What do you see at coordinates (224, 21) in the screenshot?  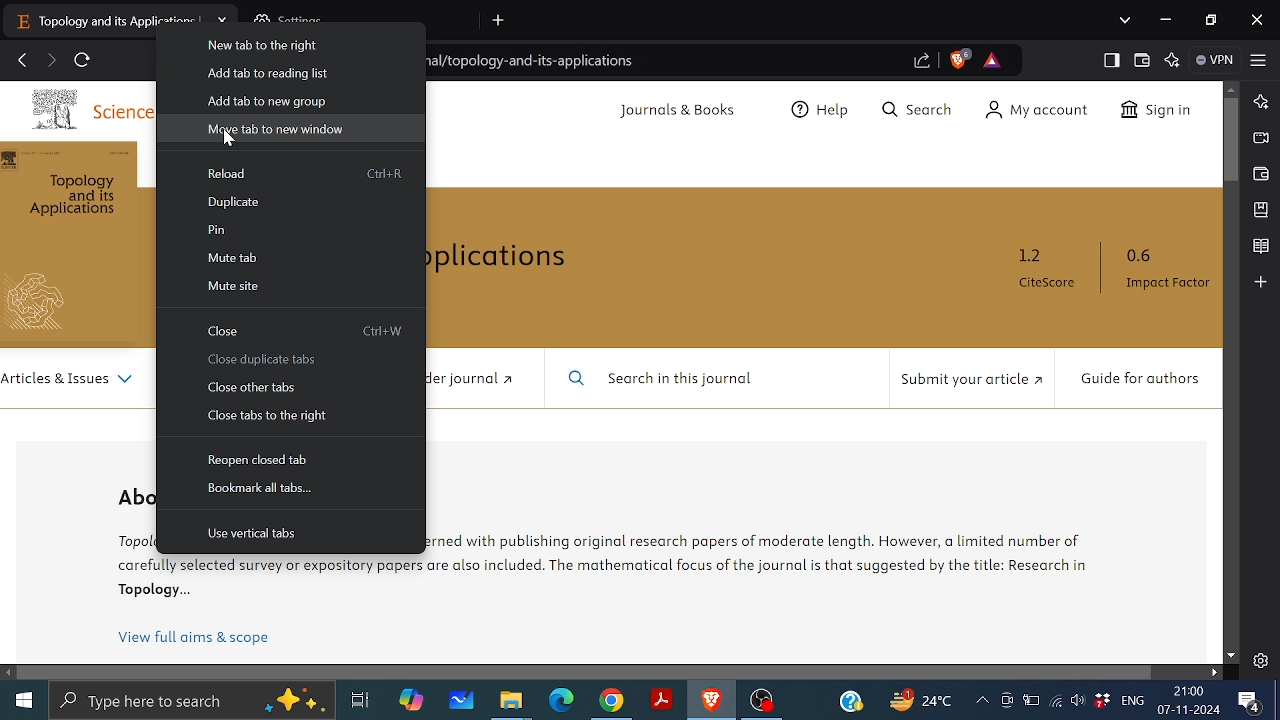 I see `Close current tab` at bounding box center [224, 21].